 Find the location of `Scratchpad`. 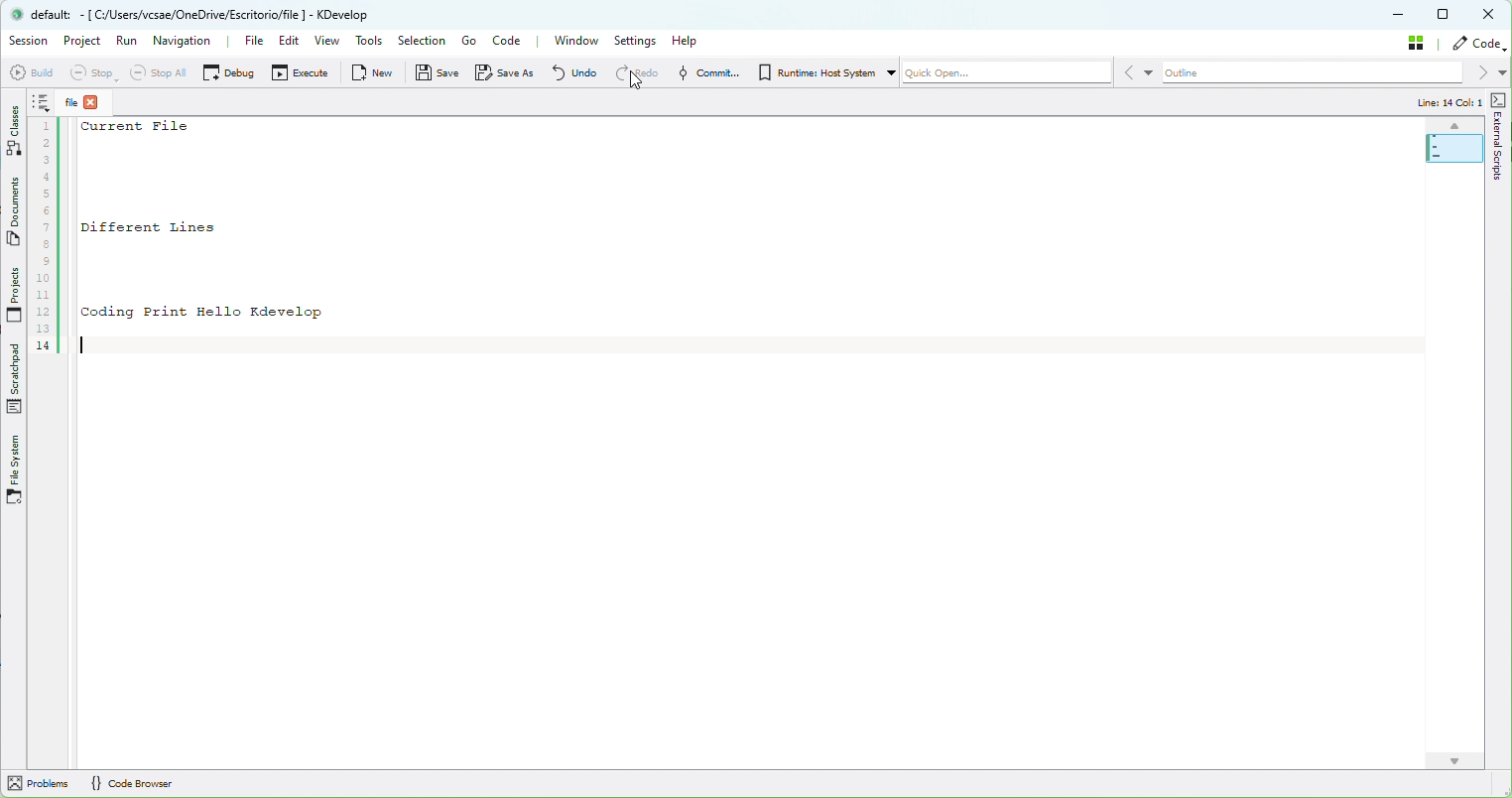

Scratchpad is located at coordinates (19, 377).